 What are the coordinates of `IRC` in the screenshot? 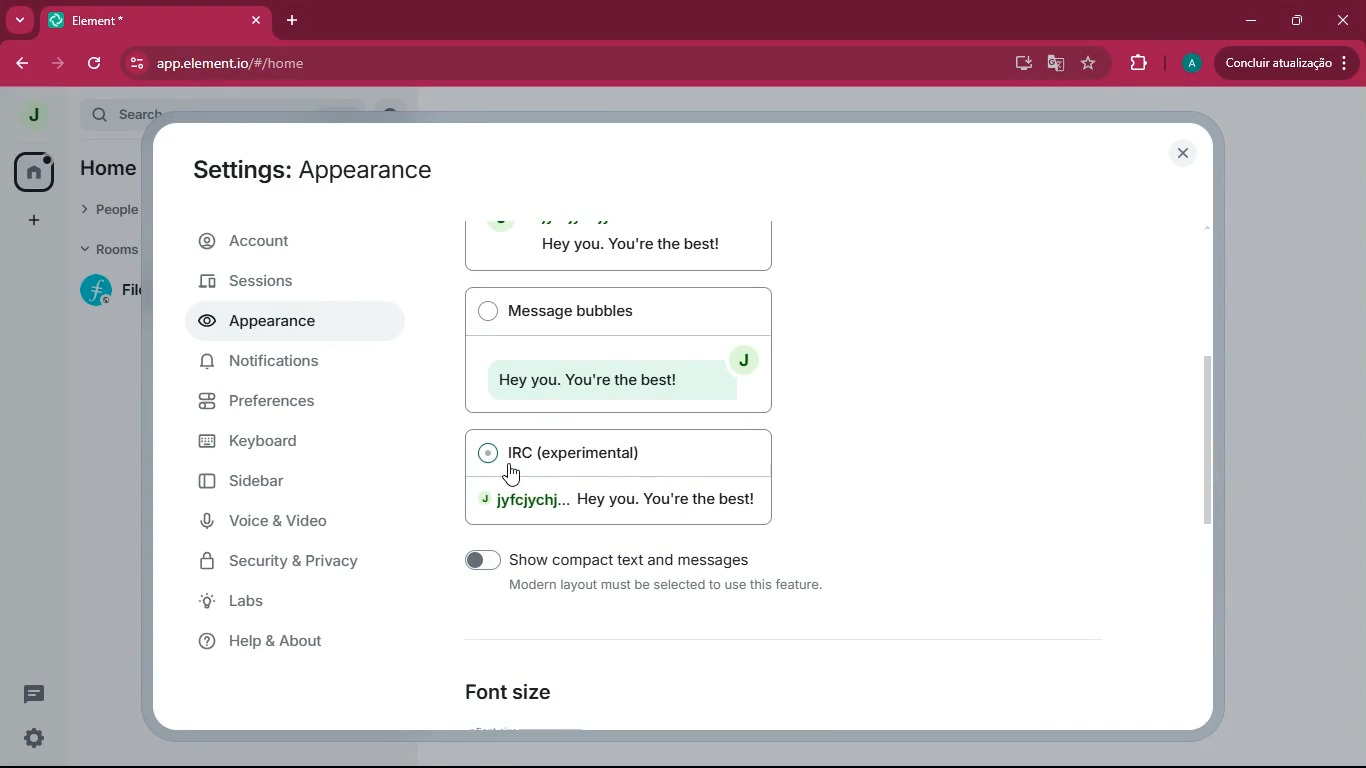 It's located at (626, 474).